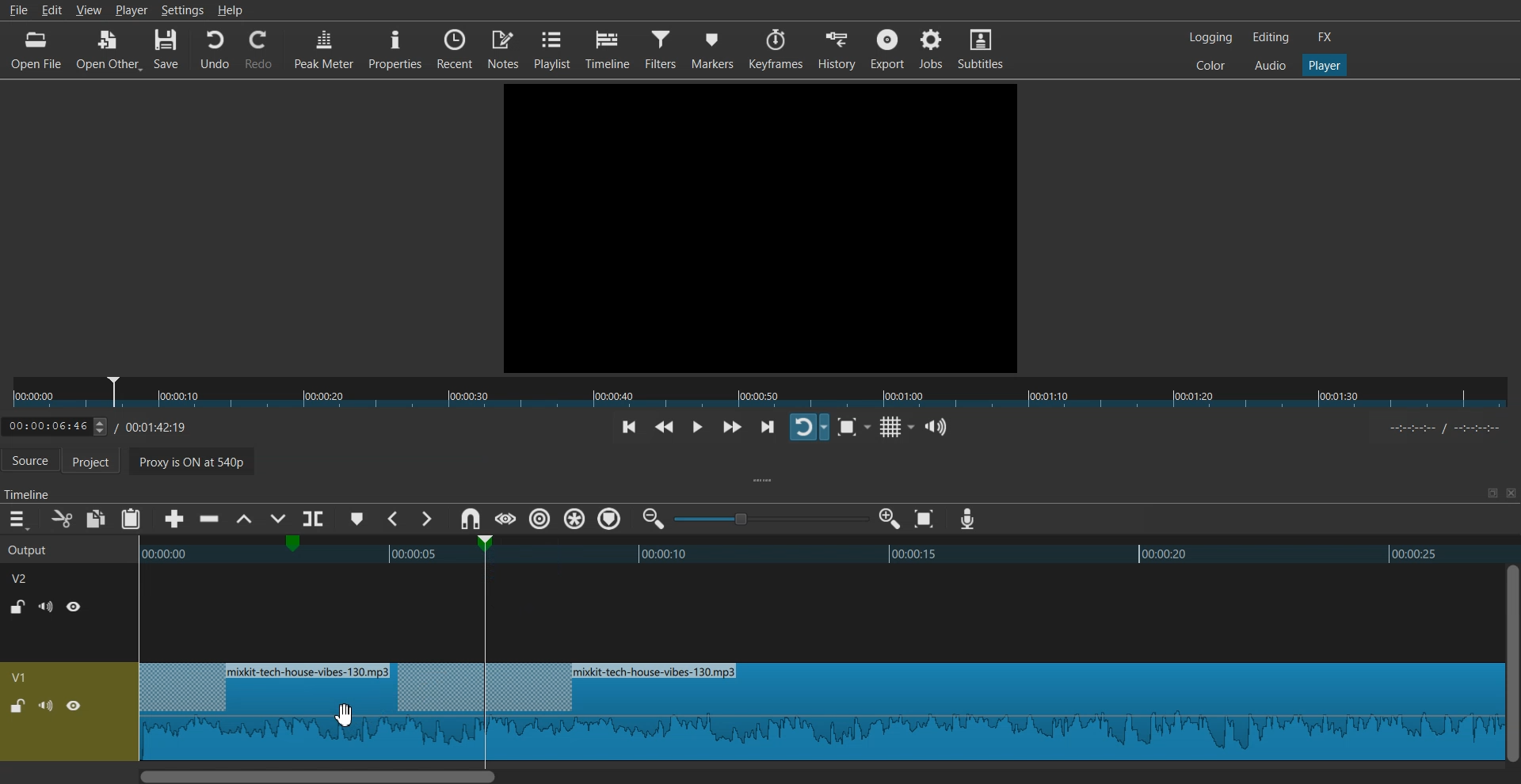  Describe the element at coordinates (19, 607) in the screenshot. I see `Lock / UnLock` at that location.